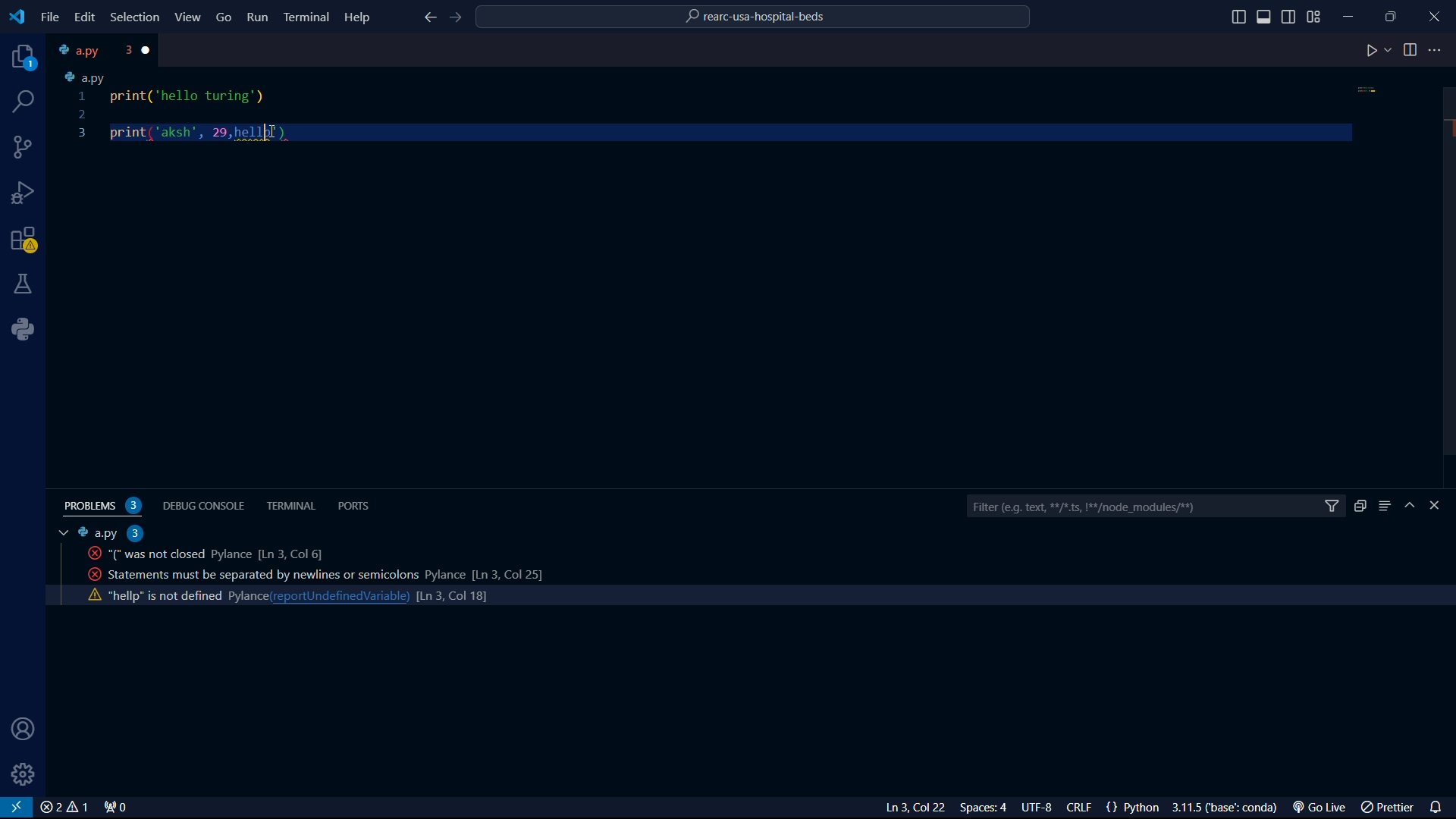 The image size is (1456, 819). Describe the element at coordinates (1135, 808) in the screenshot. I see `{} Python` at that location.